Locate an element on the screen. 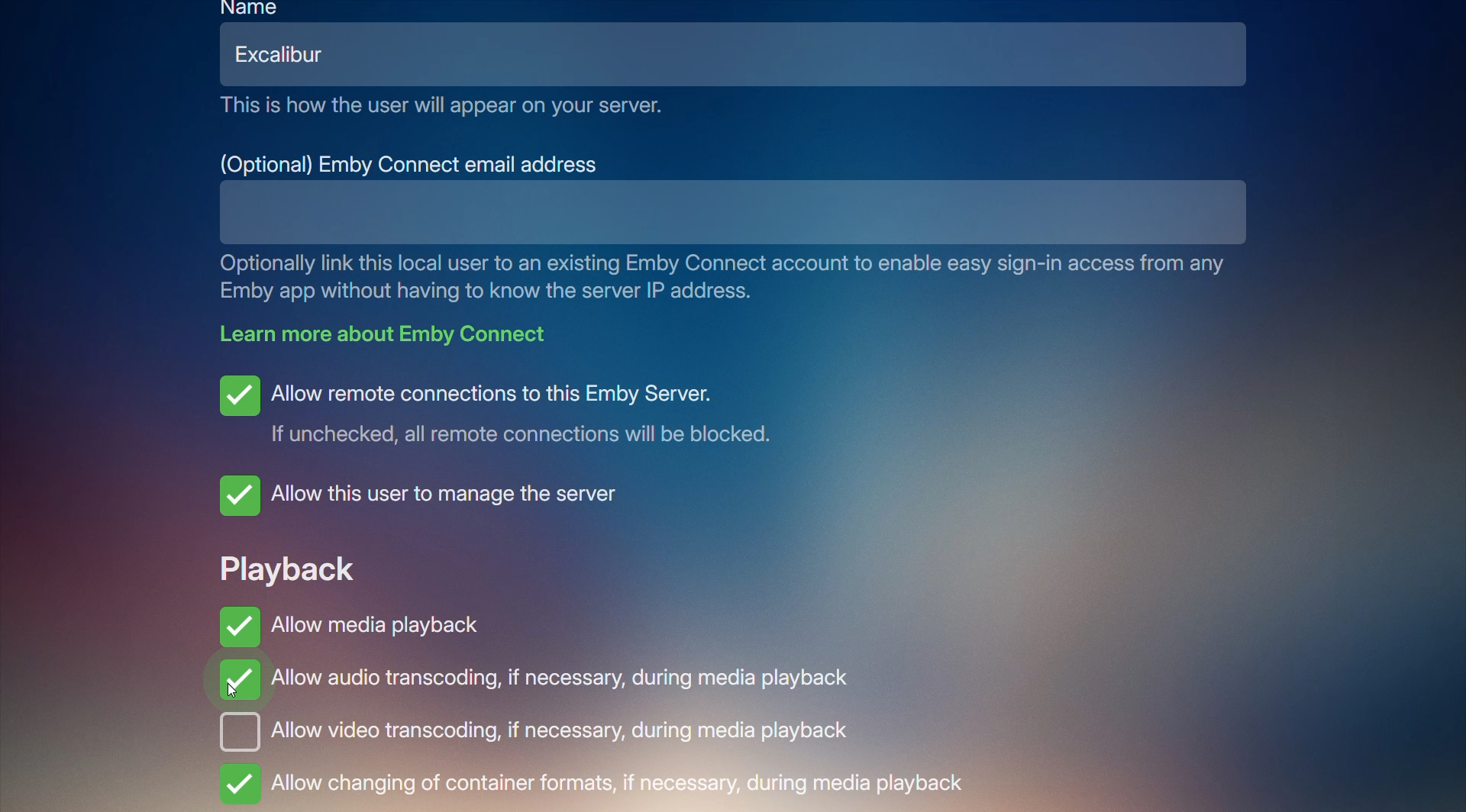 The image size is (1466, 812). lag Allow video transcoding, if necessary, during media playback is located at coordinates (563, 731).